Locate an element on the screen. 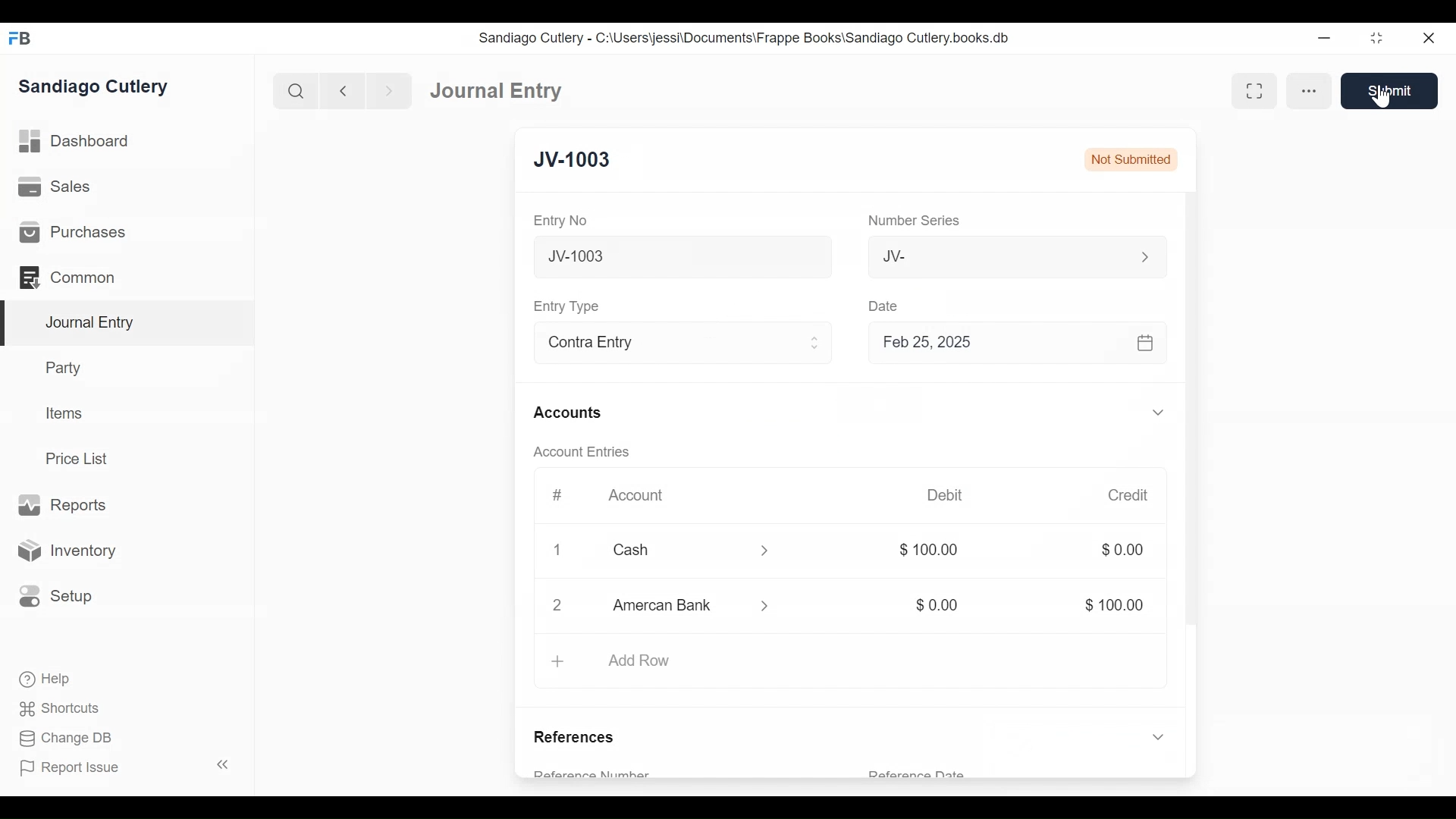  $100.00 is located at coordinates (1112, 605).